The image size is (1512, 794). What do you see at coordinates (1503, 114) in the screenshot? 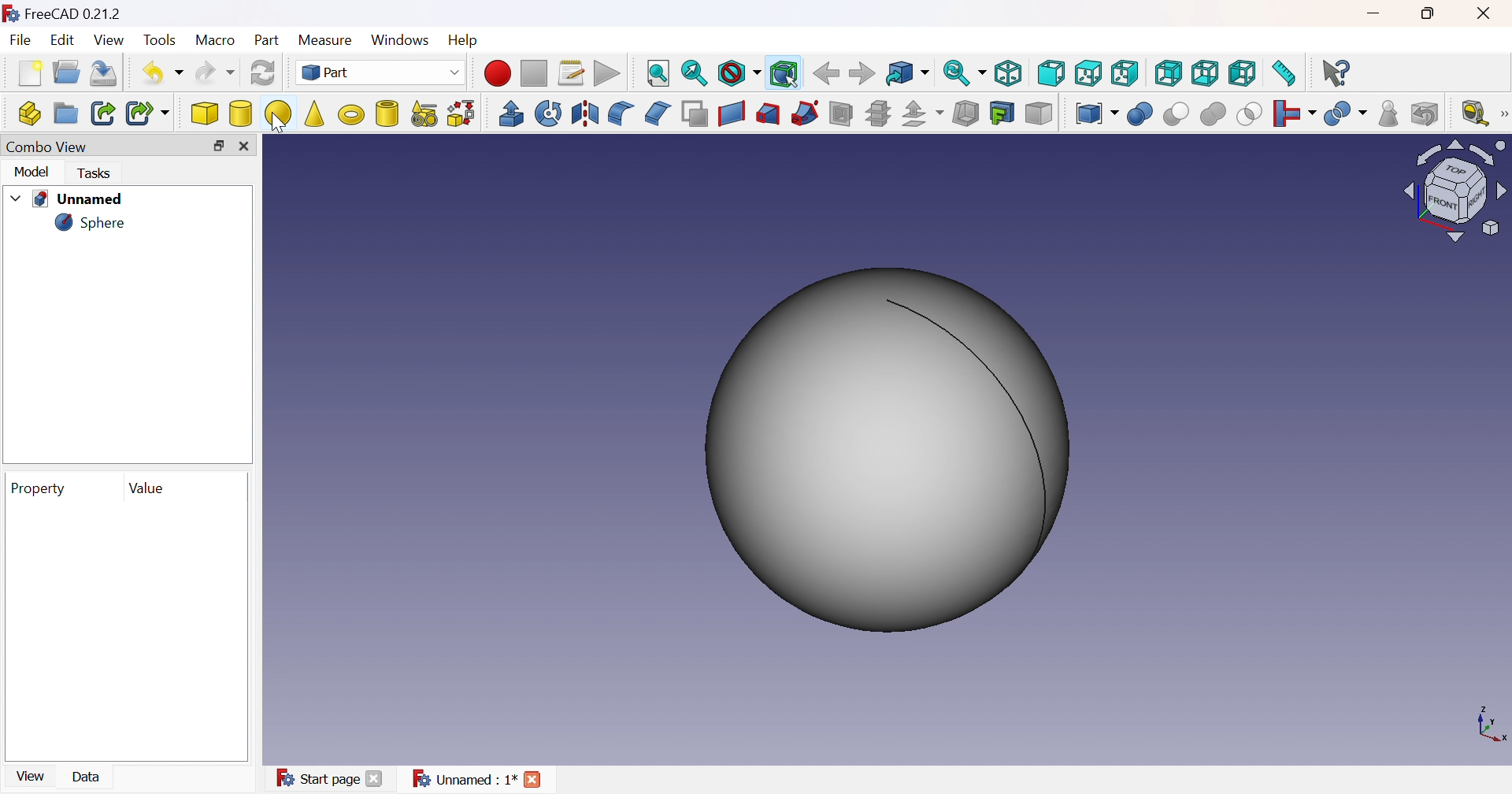
I see `[Measure]` at bounding box center [1503, 114].